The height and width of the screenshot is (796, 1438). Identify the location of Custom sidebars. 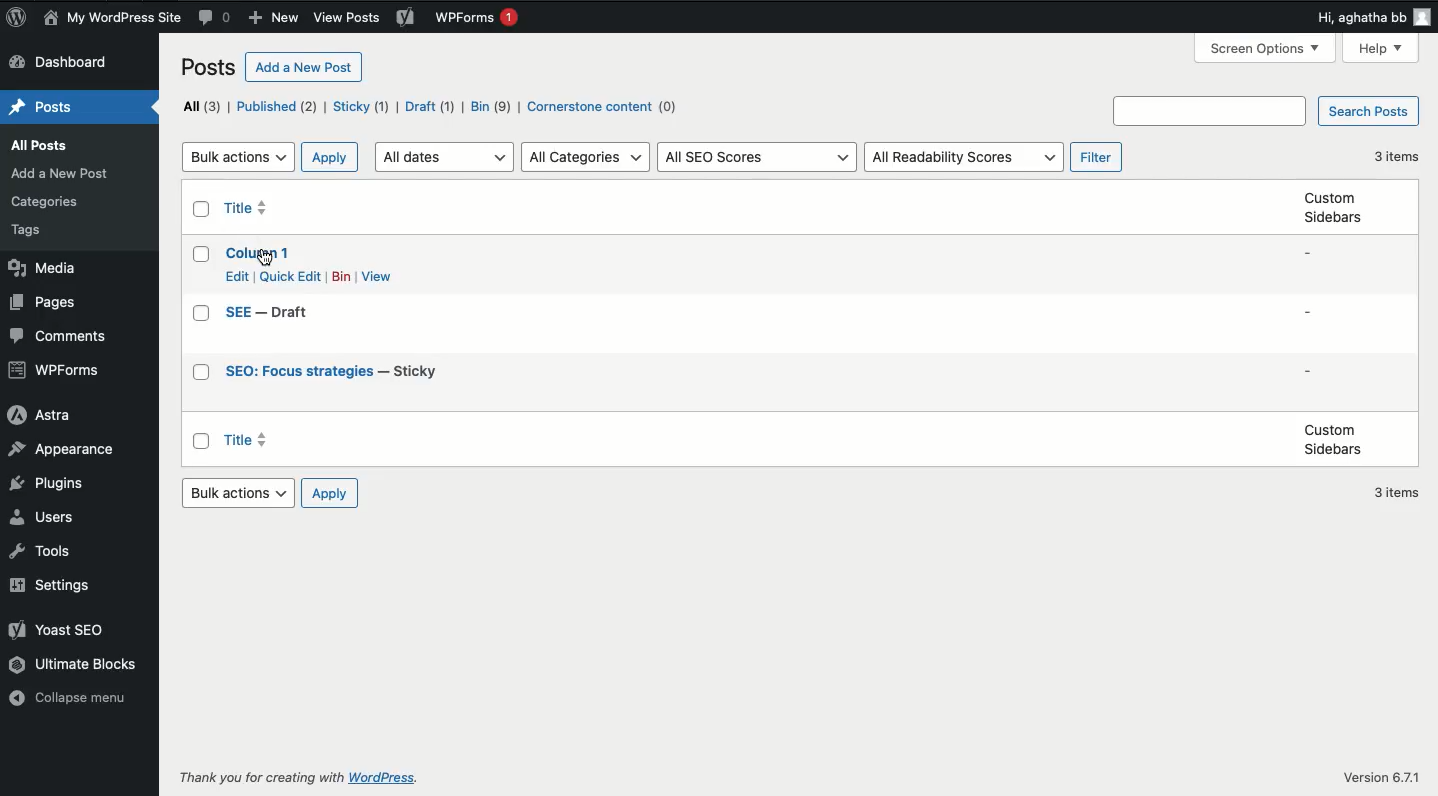
(1331, 440).